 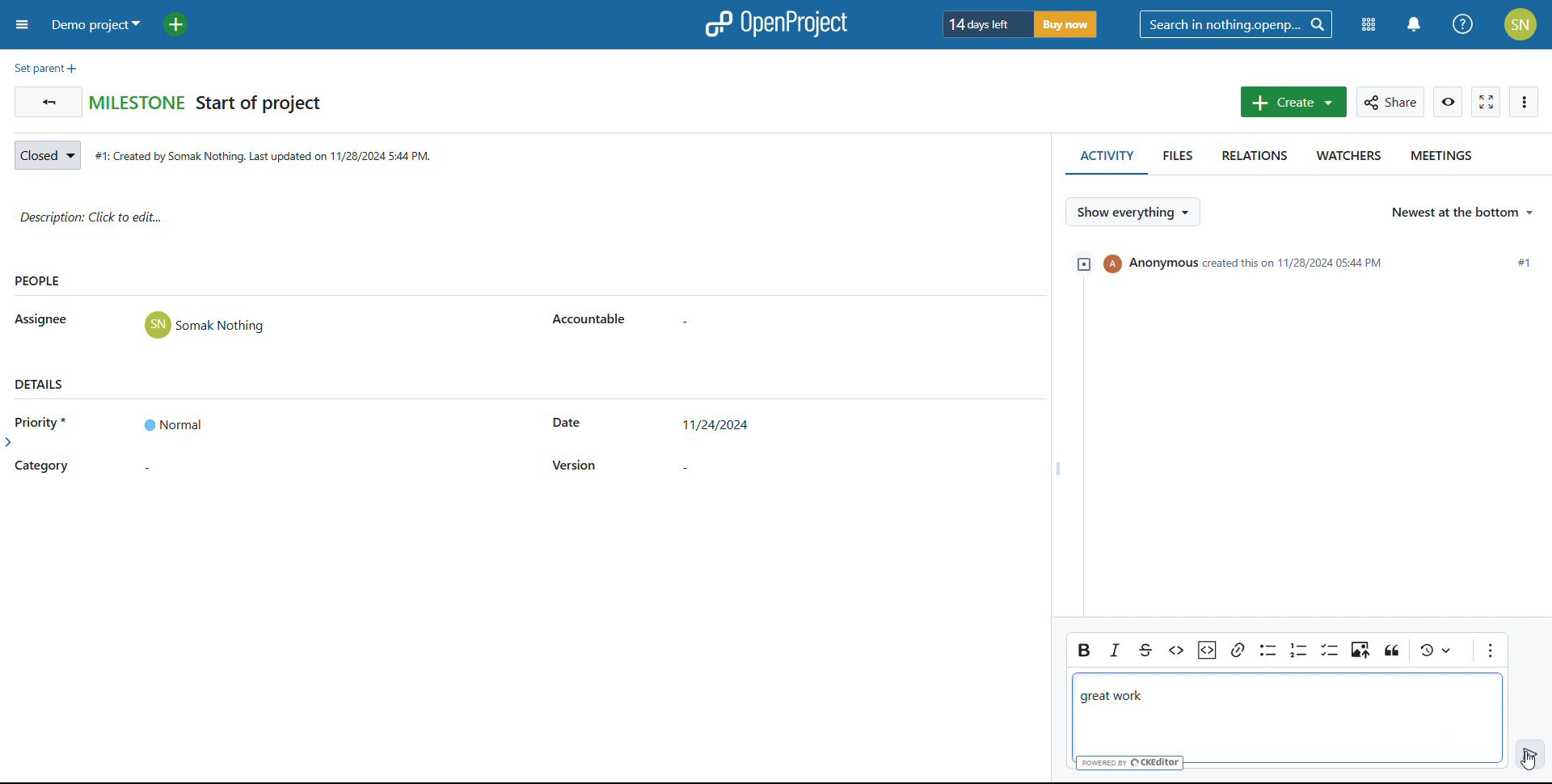 What do you see at coordinates (1130, 764) in the screenshot?
I see `powered by creditor` at bounding box center [1130, 764].